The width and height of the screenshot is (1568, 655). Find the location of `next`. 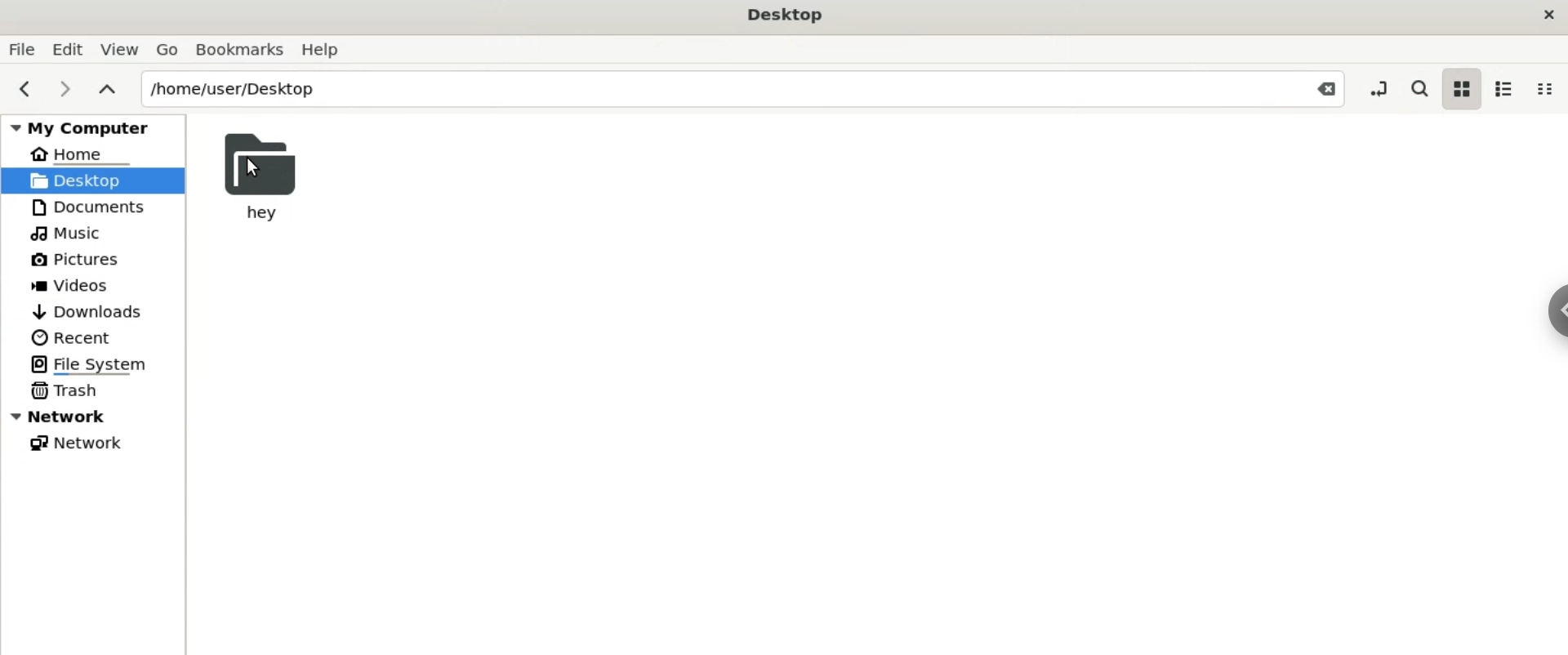

next is located at coordinates (65, 90).